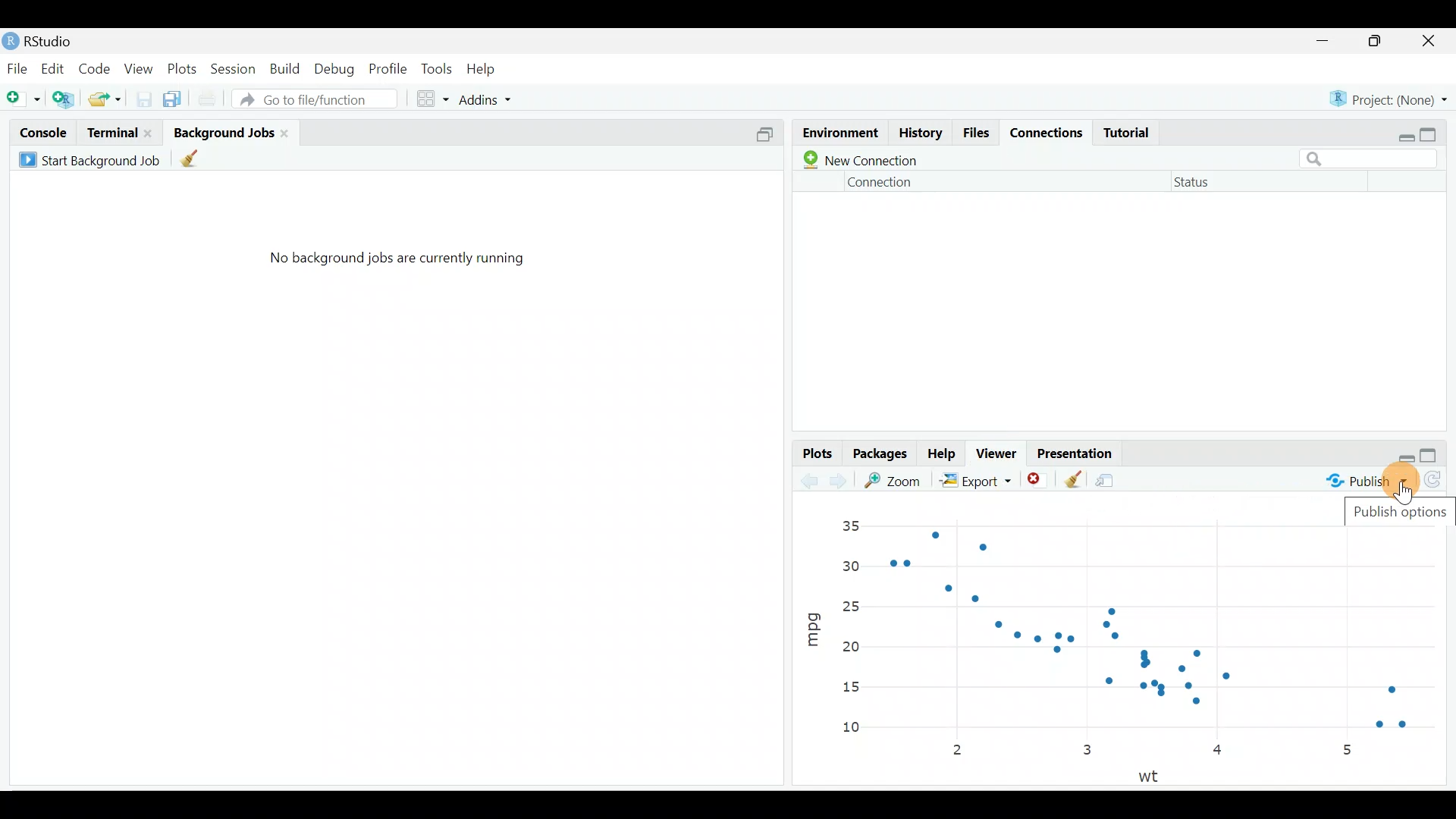 The image size is (1456, 819). I want to click on wt, so click(1154, 775).